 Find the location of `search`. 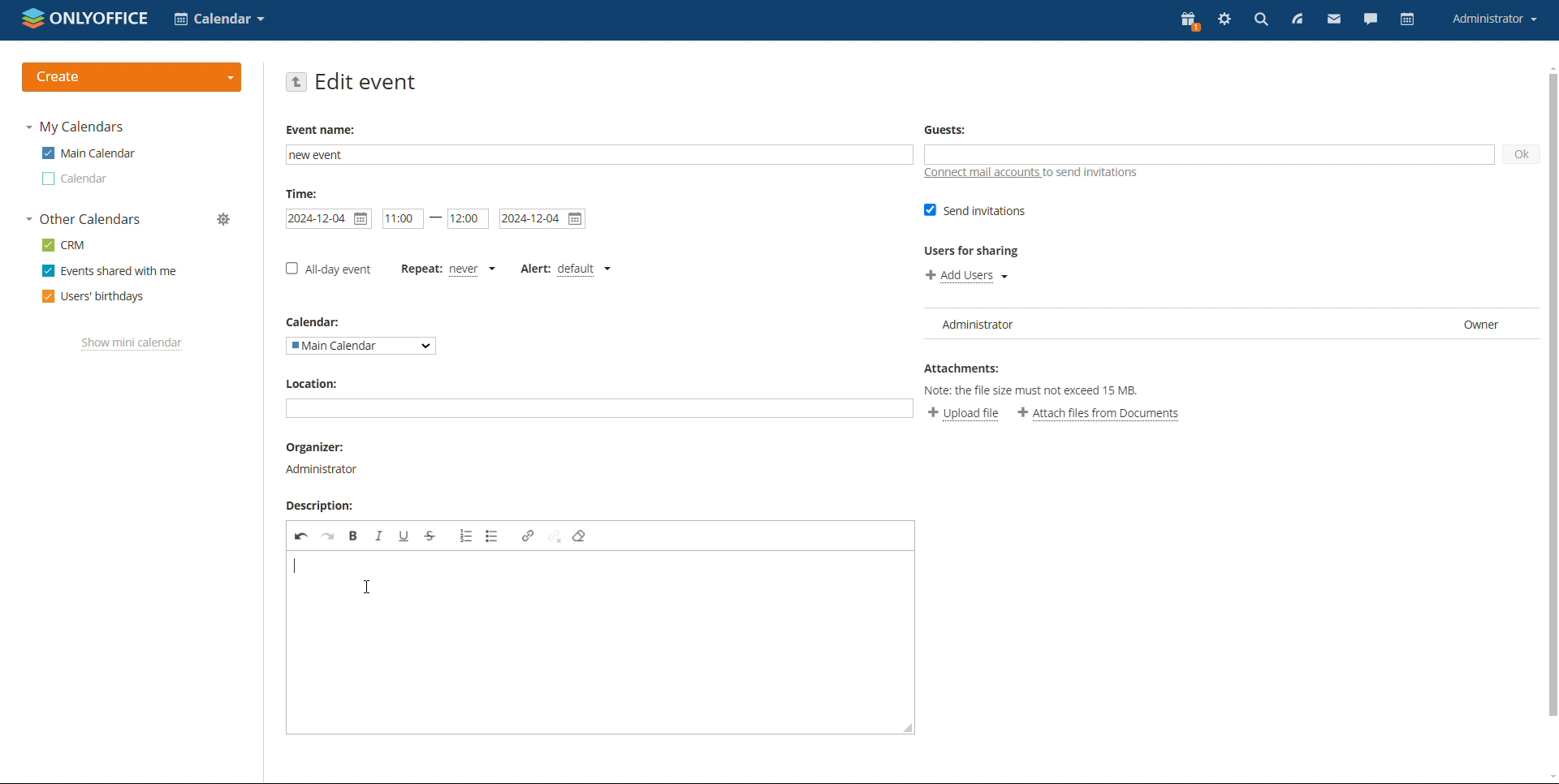

search is located at coordinates (1260, 21).